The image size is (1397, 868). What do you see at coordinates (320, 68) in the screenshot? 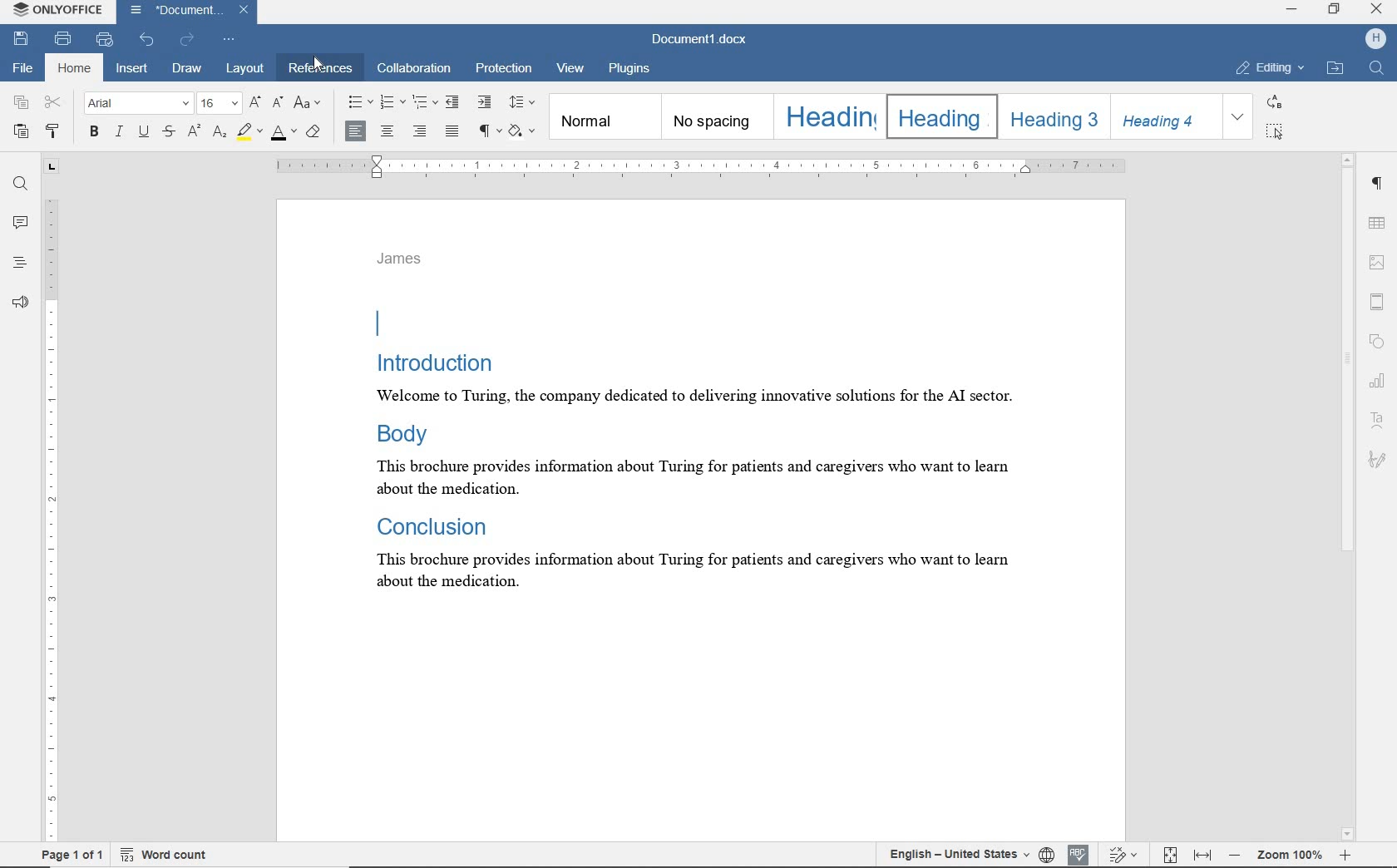
I see `references` at bounding box center [320, 68].